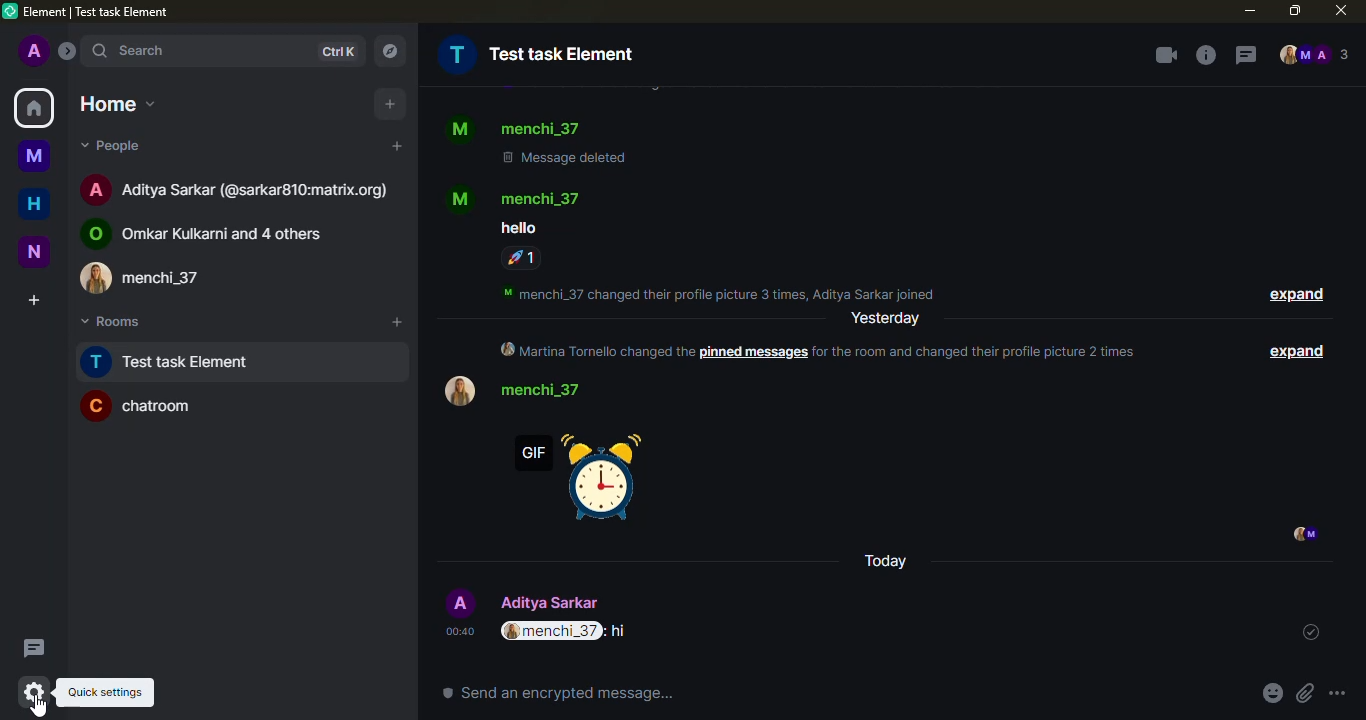 The image size is (1366, 720). What do you see at coordinates (114, 144) in the screenshot?
I see `people` at bounding box center [114, 144].